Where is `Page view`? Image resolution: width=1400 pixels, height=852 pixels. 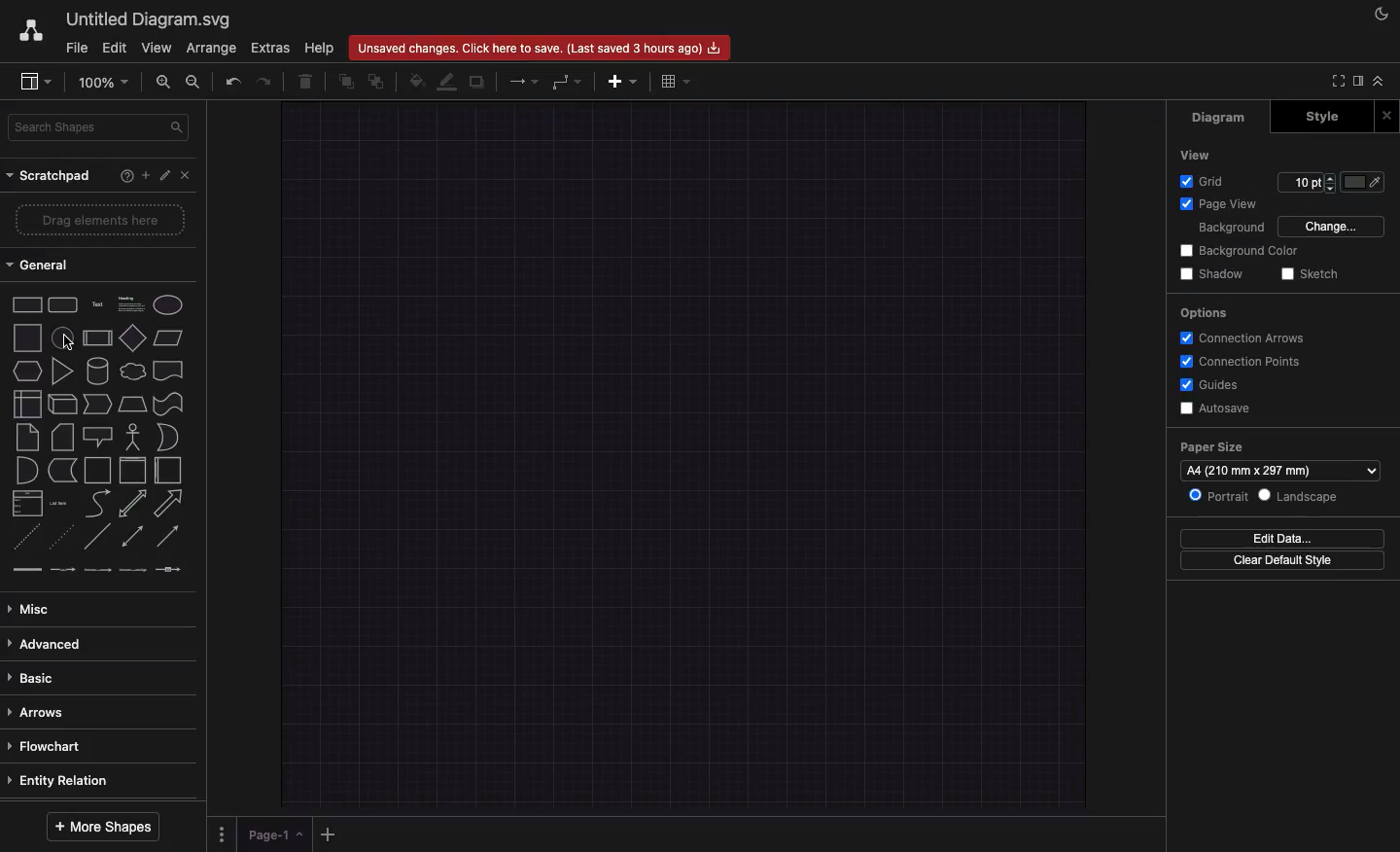
Page view is located at coordinates (1219, 204).